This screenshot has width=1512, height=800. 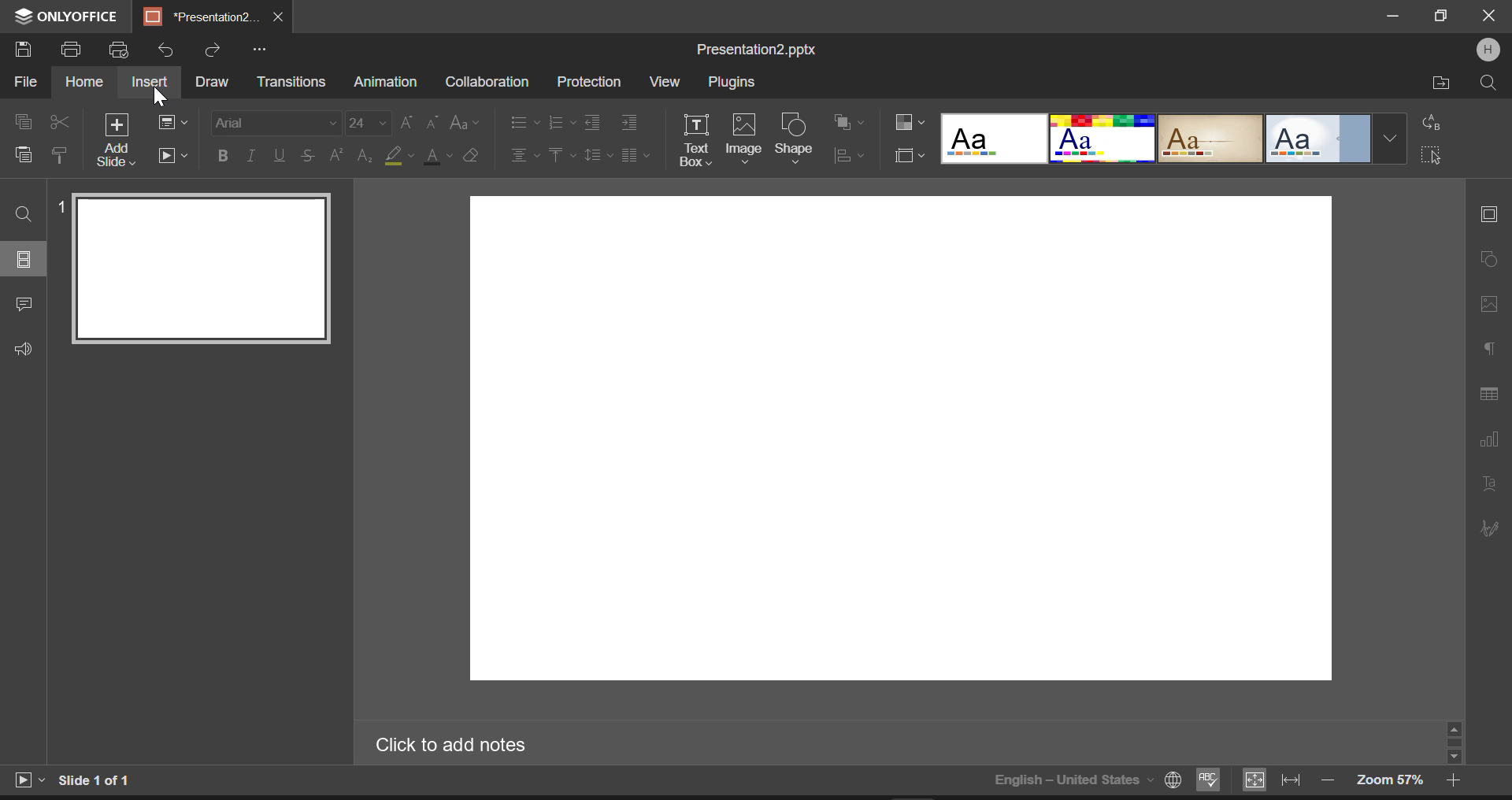 What do you see at coordinates (28, 778) in the screenshot?
I see `Start Slideshow` at bounding box center [28, 778].